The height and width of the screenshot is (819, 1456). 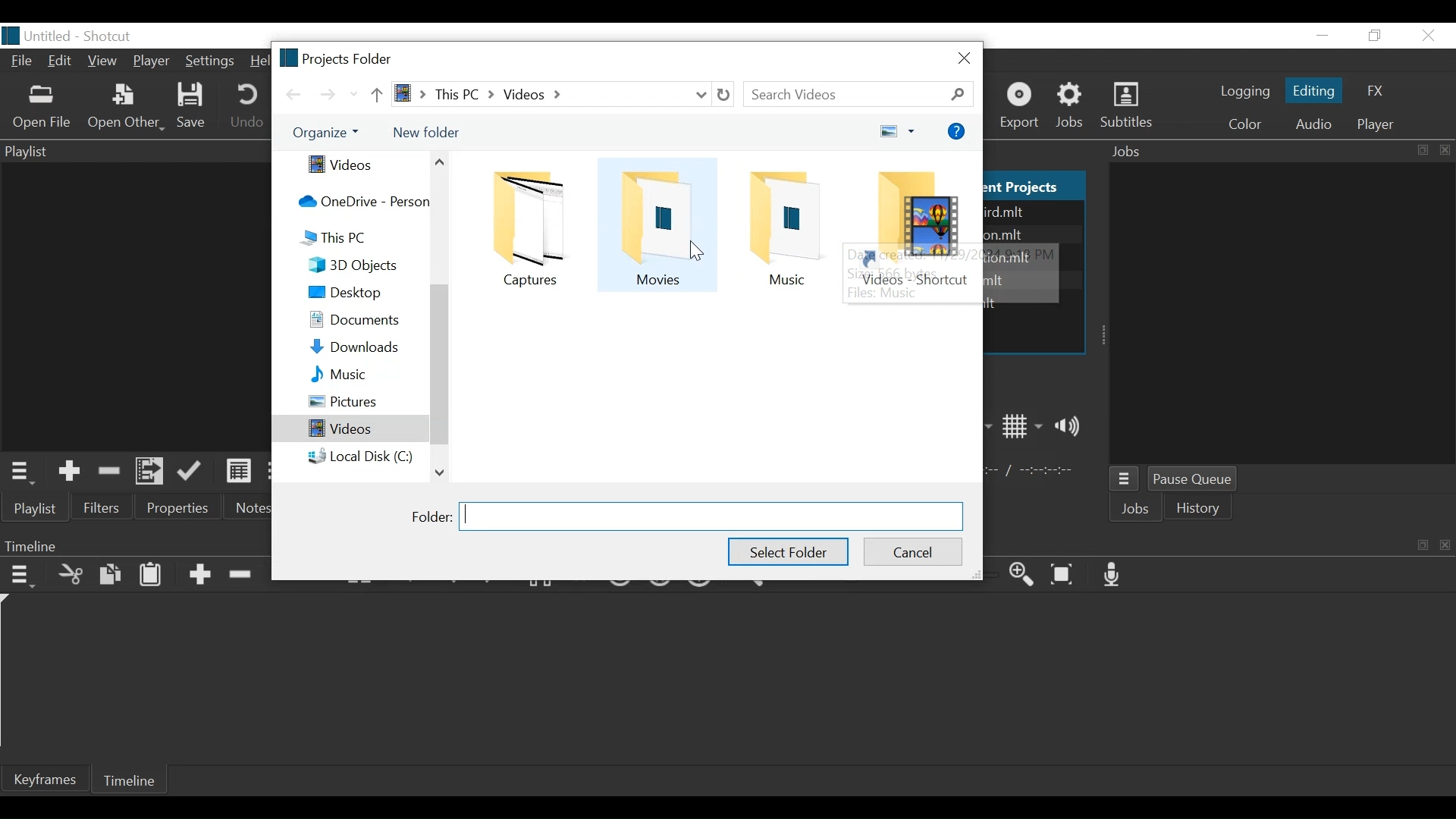 I want to click on Pause Queue, so click(x=1198, y=481).